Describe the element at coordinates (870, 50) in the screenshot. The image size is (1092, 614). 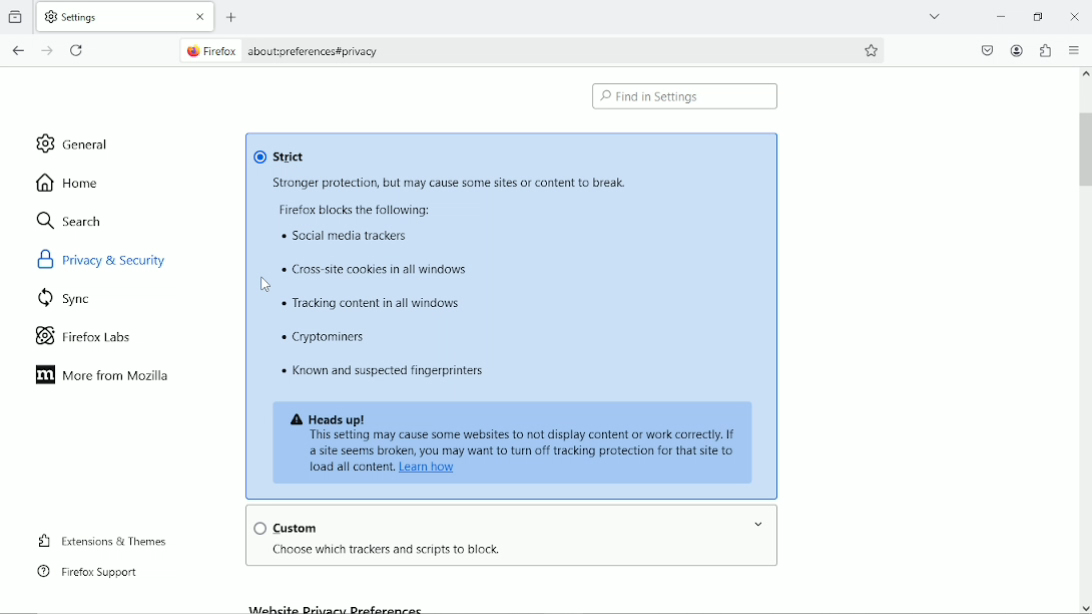
I see `bookmark this page` at that location.